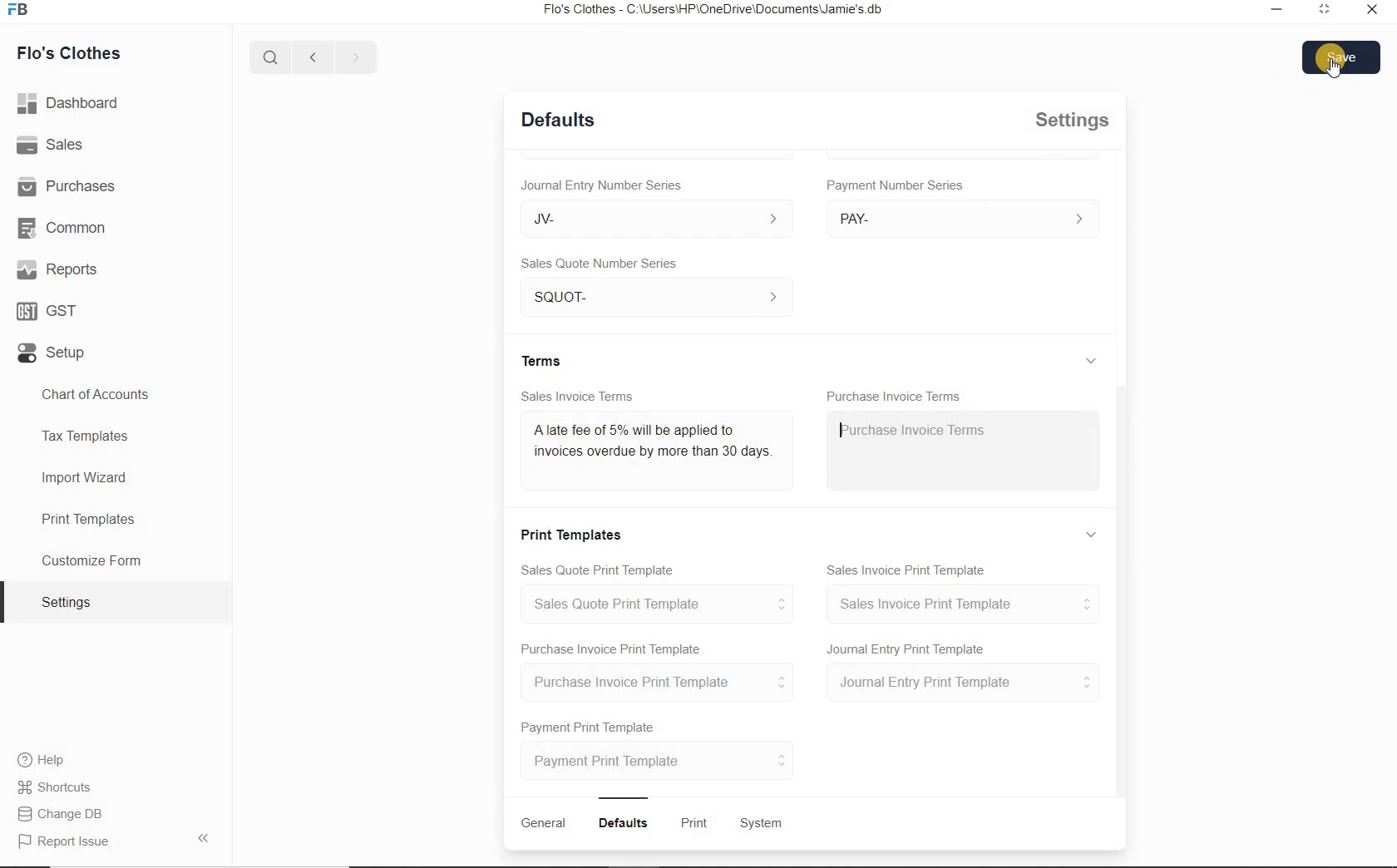 The image size is (1397, 868). I want to click on Next, so click(355, 57).